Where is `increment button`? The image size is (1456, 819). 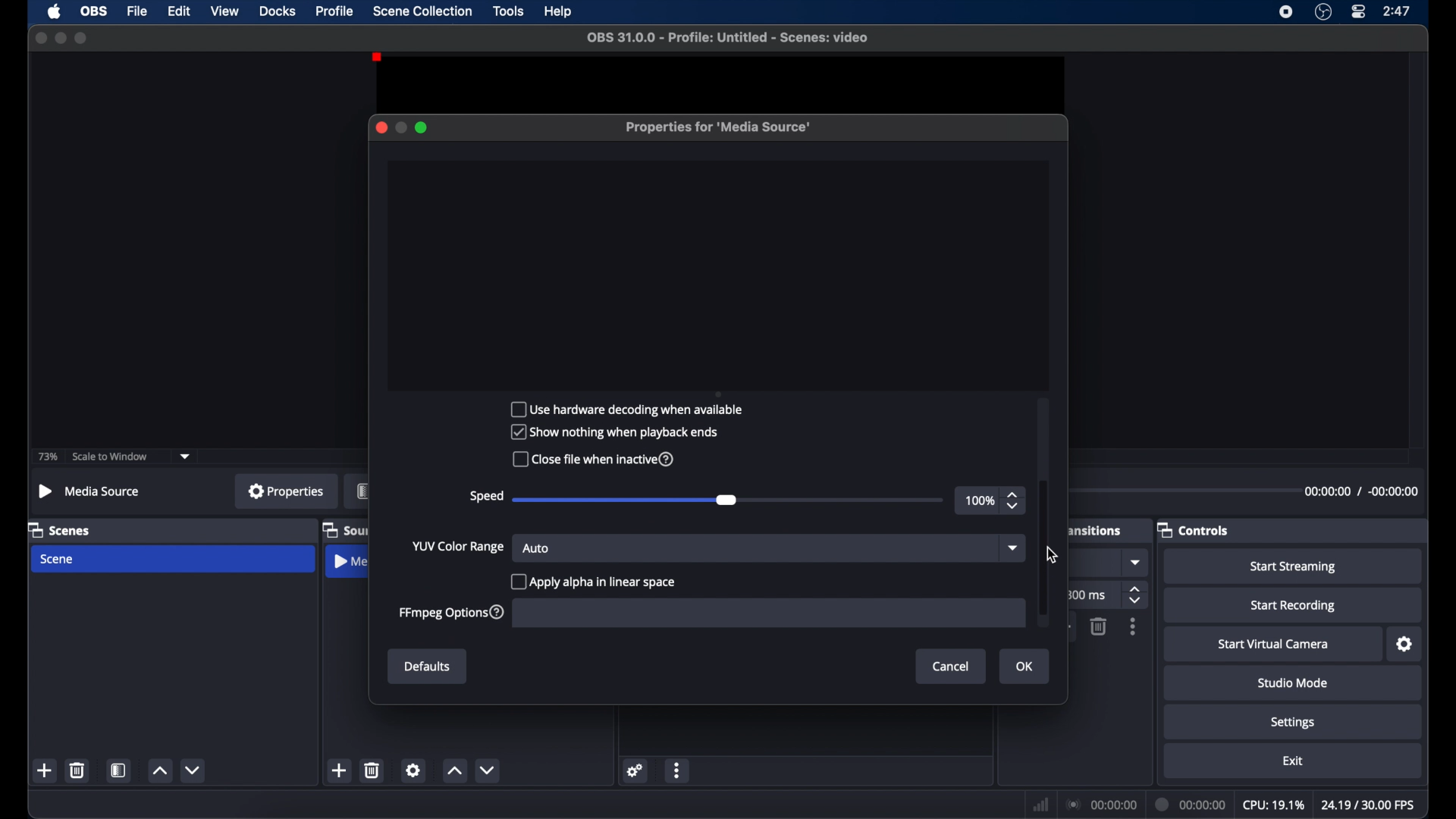 increment button is located at coordinates (454, 771).